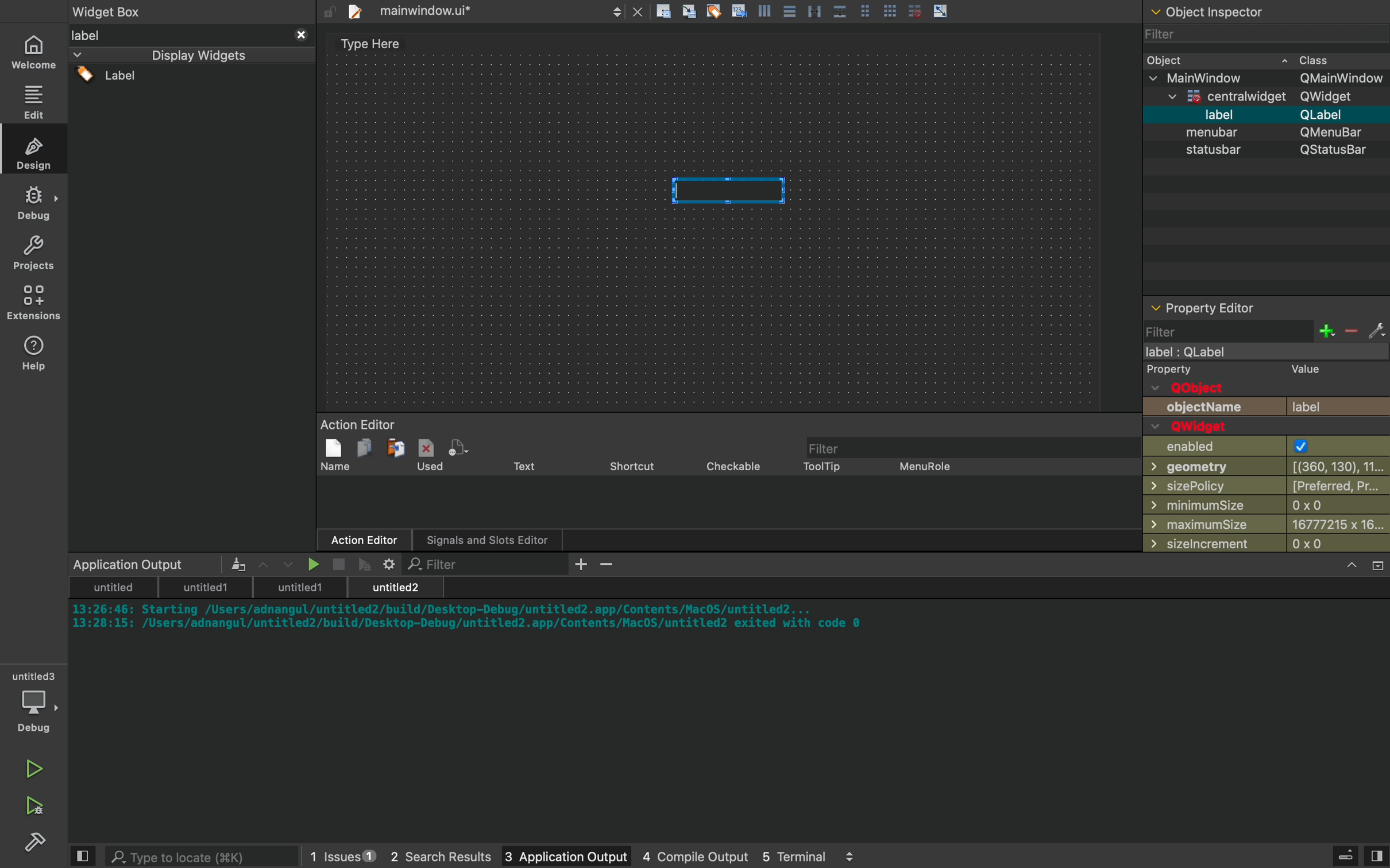 The image size is (1390, 868). I want to click on , so click(1223, 11).